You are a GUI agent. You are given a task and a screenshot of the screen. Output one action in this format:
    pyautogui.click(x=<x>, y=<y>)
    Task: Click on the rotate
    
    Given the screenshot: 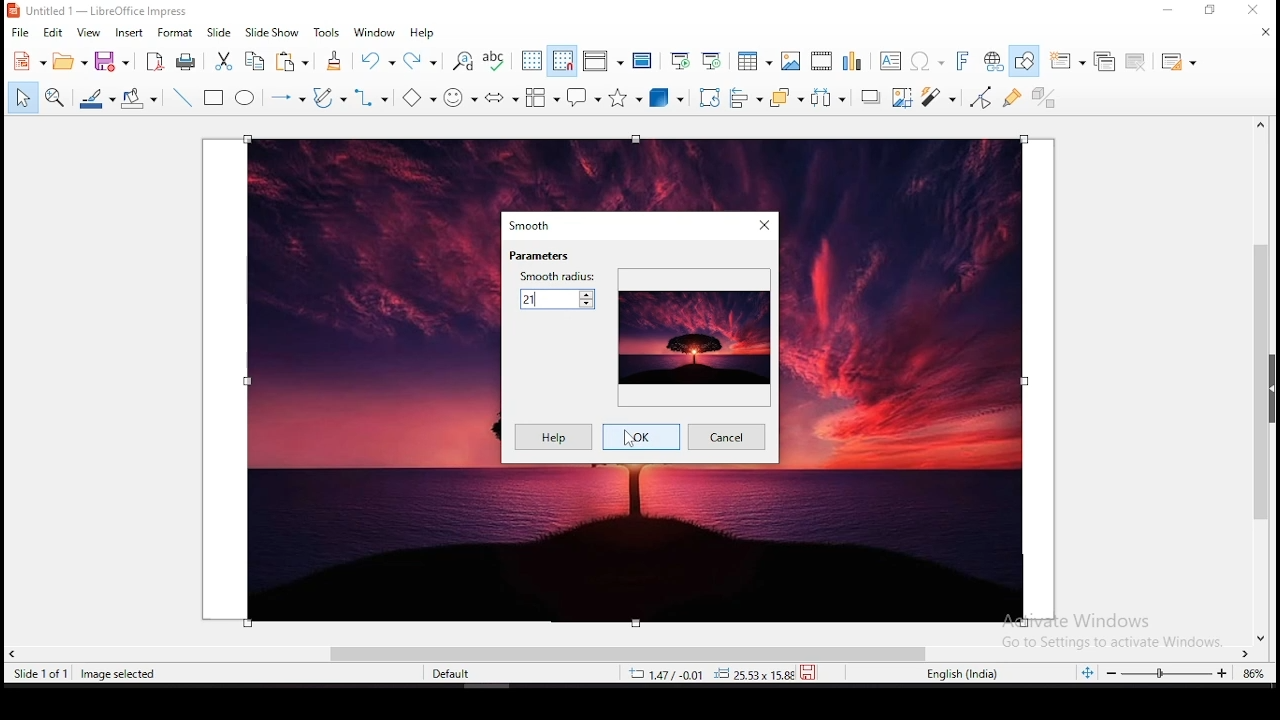 What is the action you would take?
    pyautogui.click(x=707, y=99)
    